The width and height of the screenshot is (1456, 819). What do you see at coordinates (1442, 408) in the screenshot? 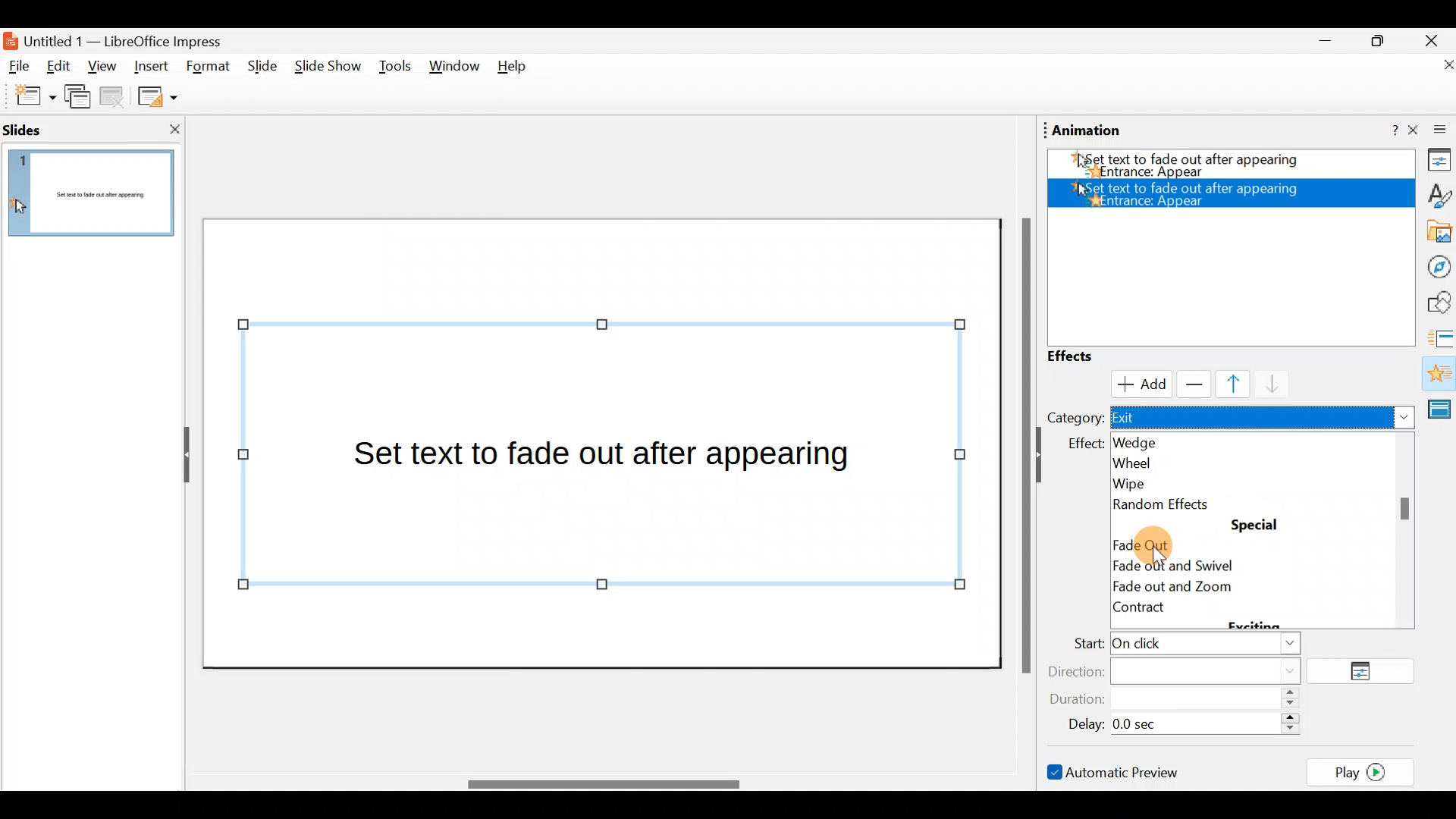
I see `Master slides` at bounding box center [1442, 408].